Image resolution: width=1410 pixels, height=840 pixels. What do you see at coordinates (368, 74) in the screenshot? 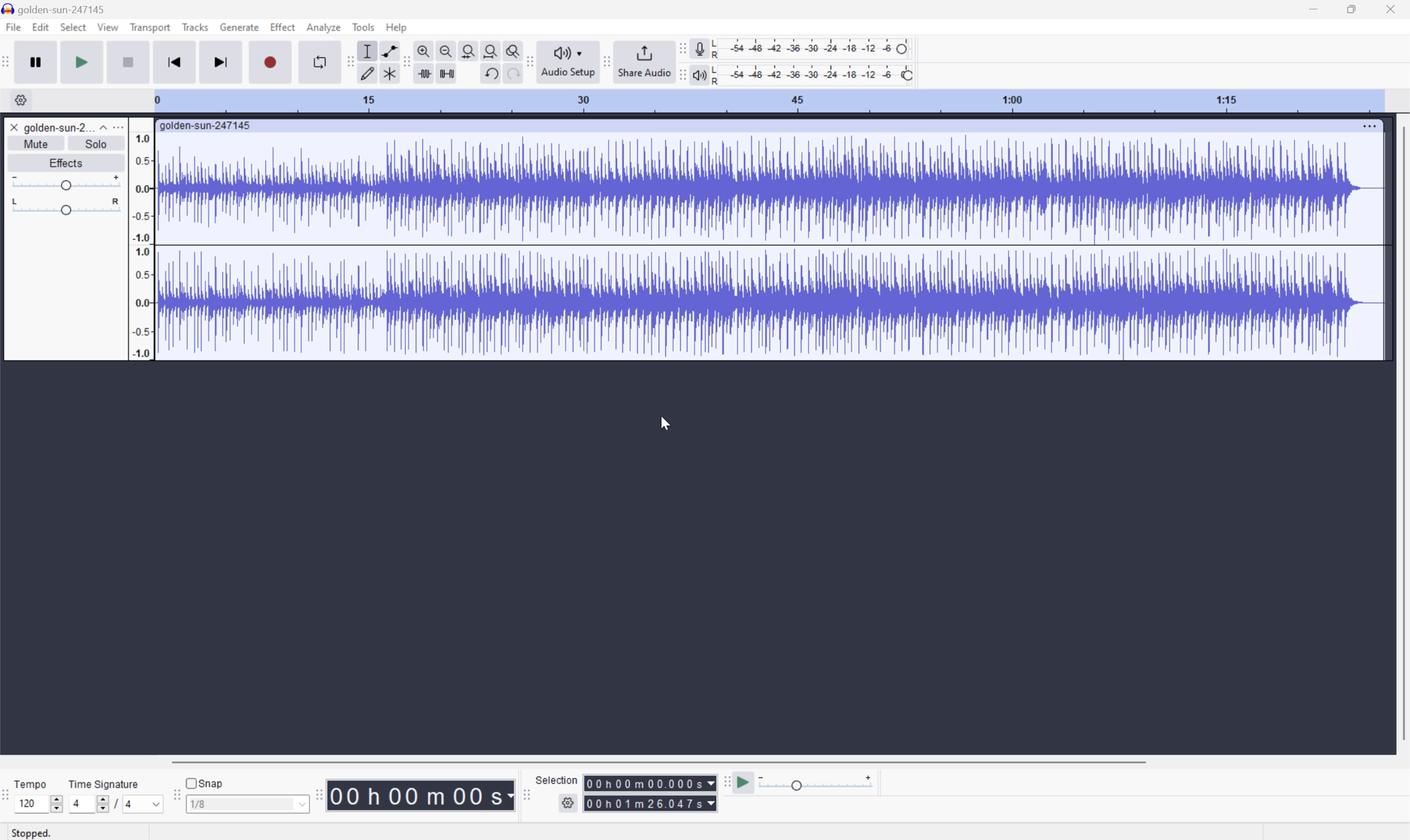
I see `Draw tool` at bounding box center [368, 74].